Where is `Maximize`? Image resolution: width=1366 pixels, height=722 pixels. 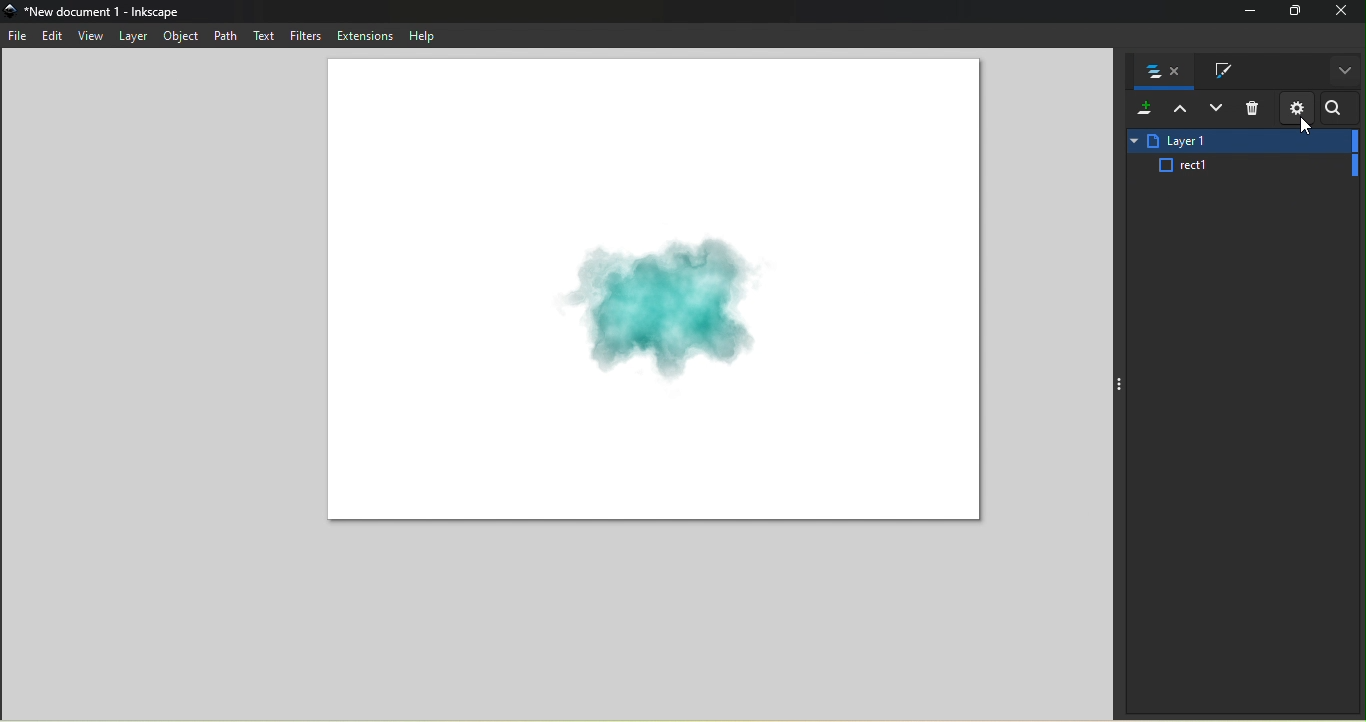
Maximize is located at coordinates (1294, 11).